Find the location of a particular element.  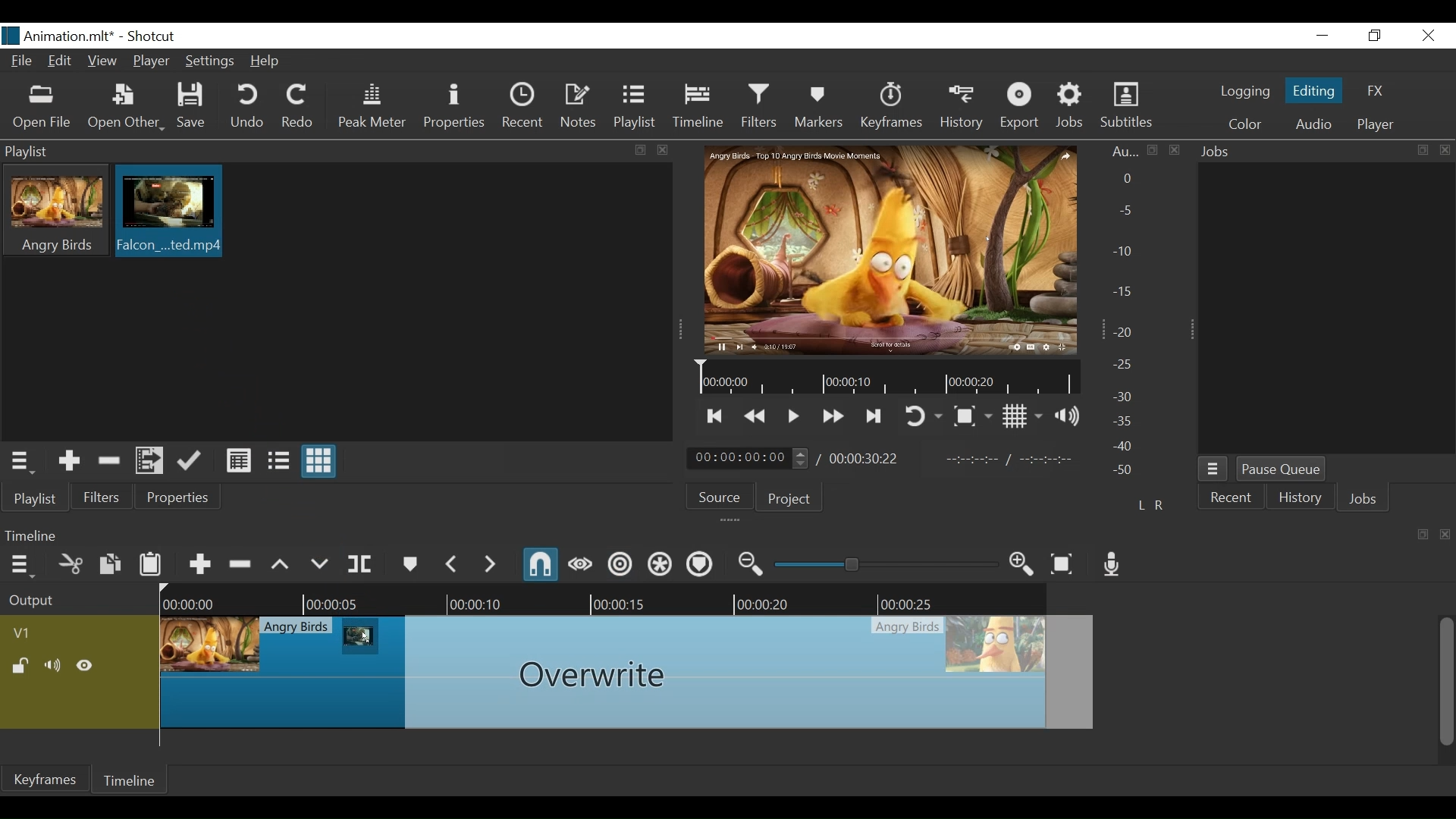

View as Icon is located at coordinates (320, 461).